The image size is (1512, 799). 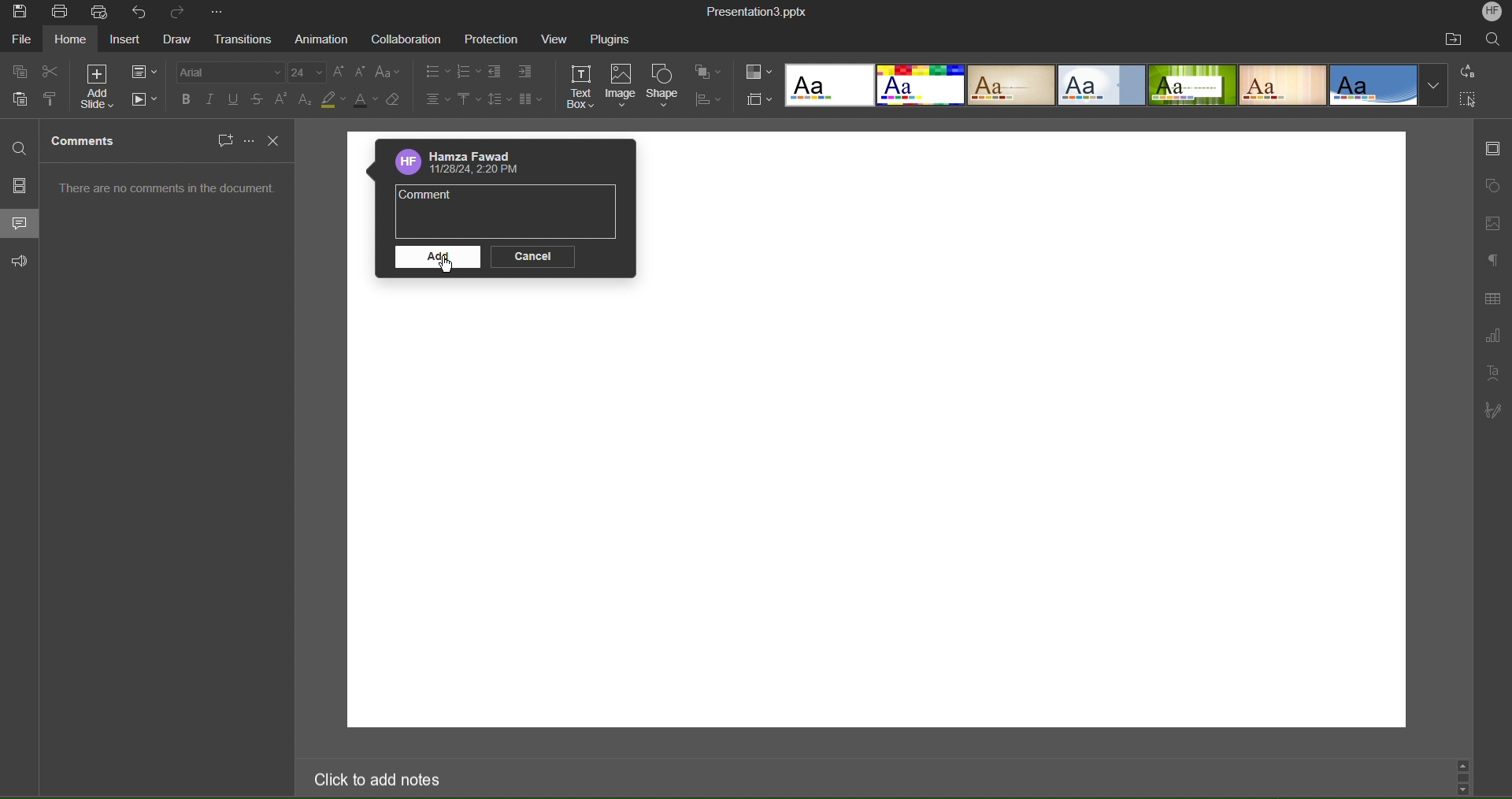 I want to click on Text Color, so click(x=364, y=101).